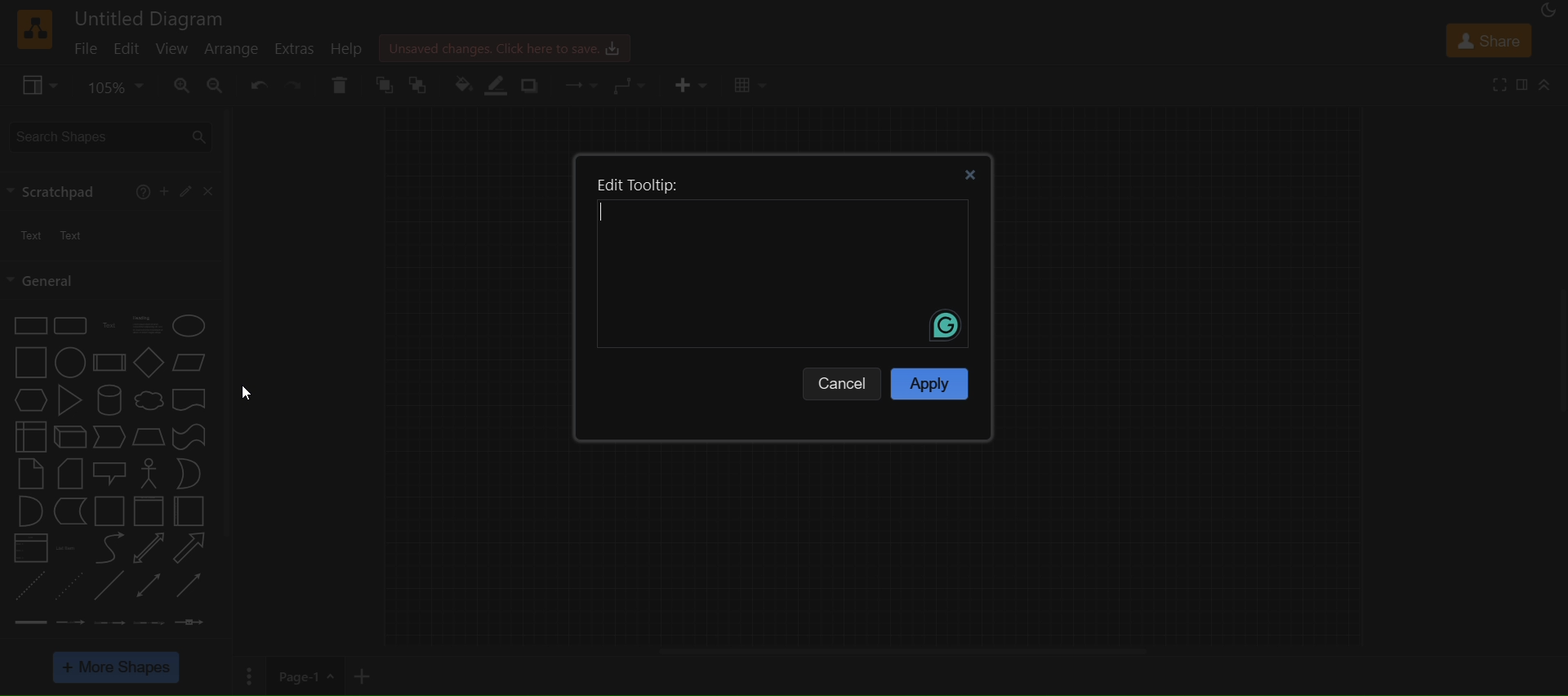 The image size is (1568, 696). I want to click on unsaved changes. click here to save, so click(501, 46).